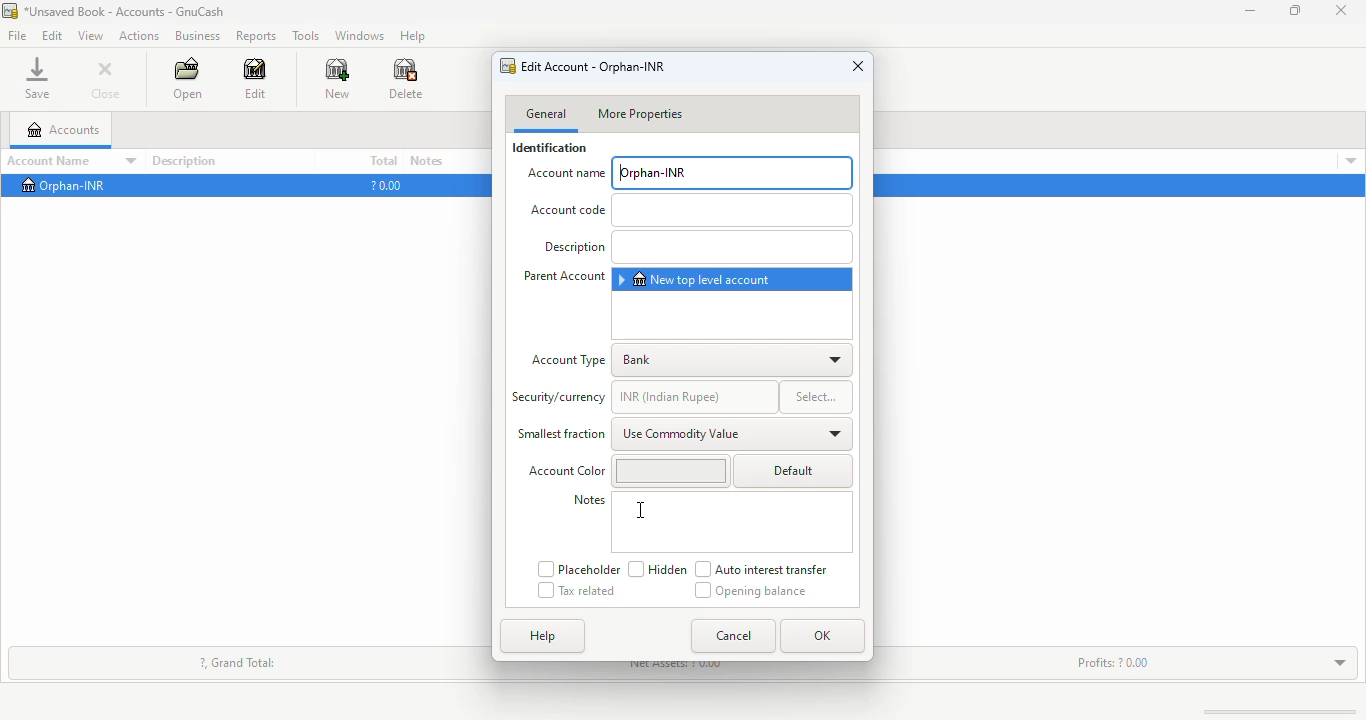  I want to click on Orphan-INR, so click(57, 188).